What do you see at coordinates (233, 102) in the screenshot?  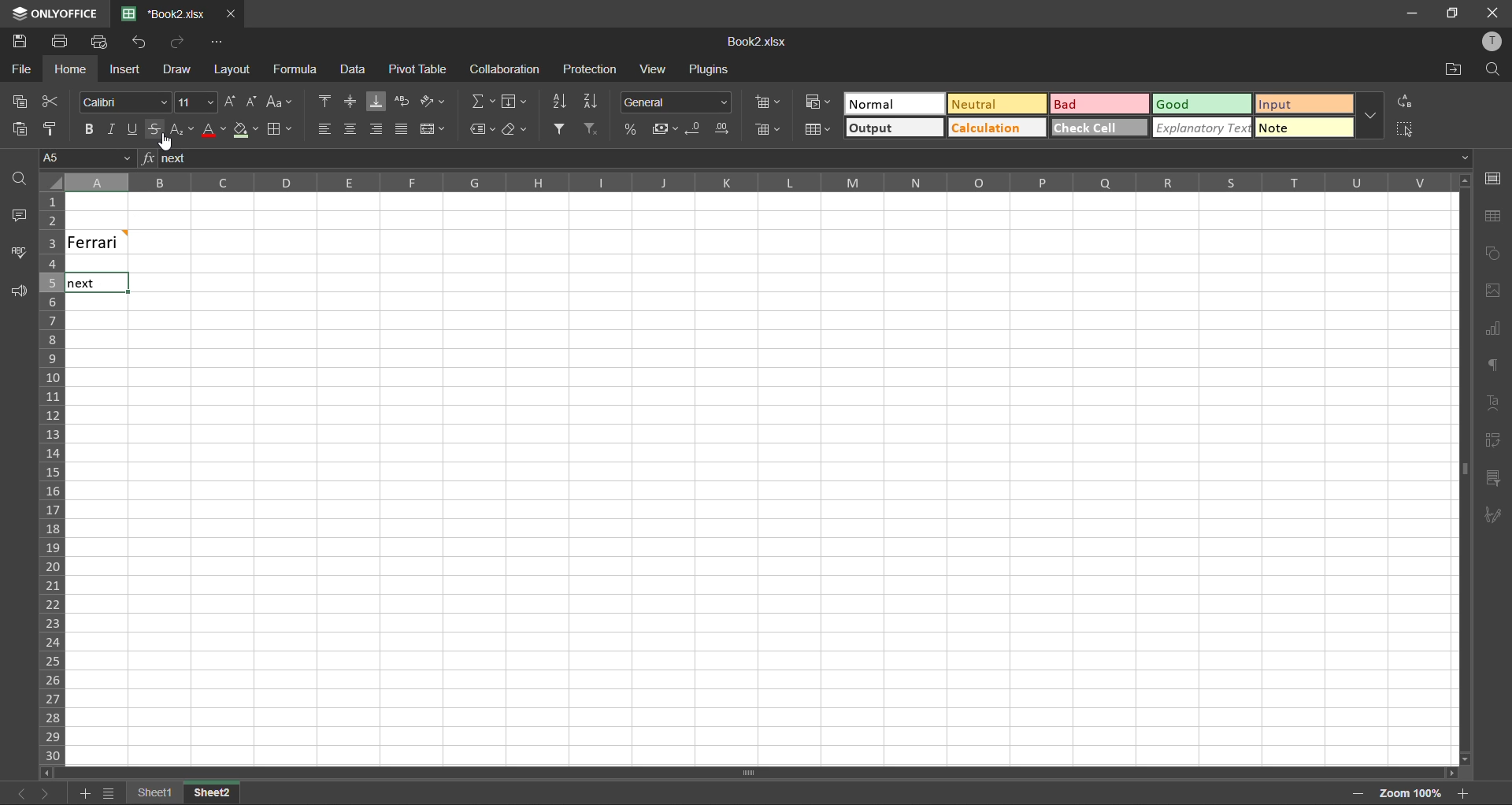 I see `increment size` at bounding box center [233, 102].